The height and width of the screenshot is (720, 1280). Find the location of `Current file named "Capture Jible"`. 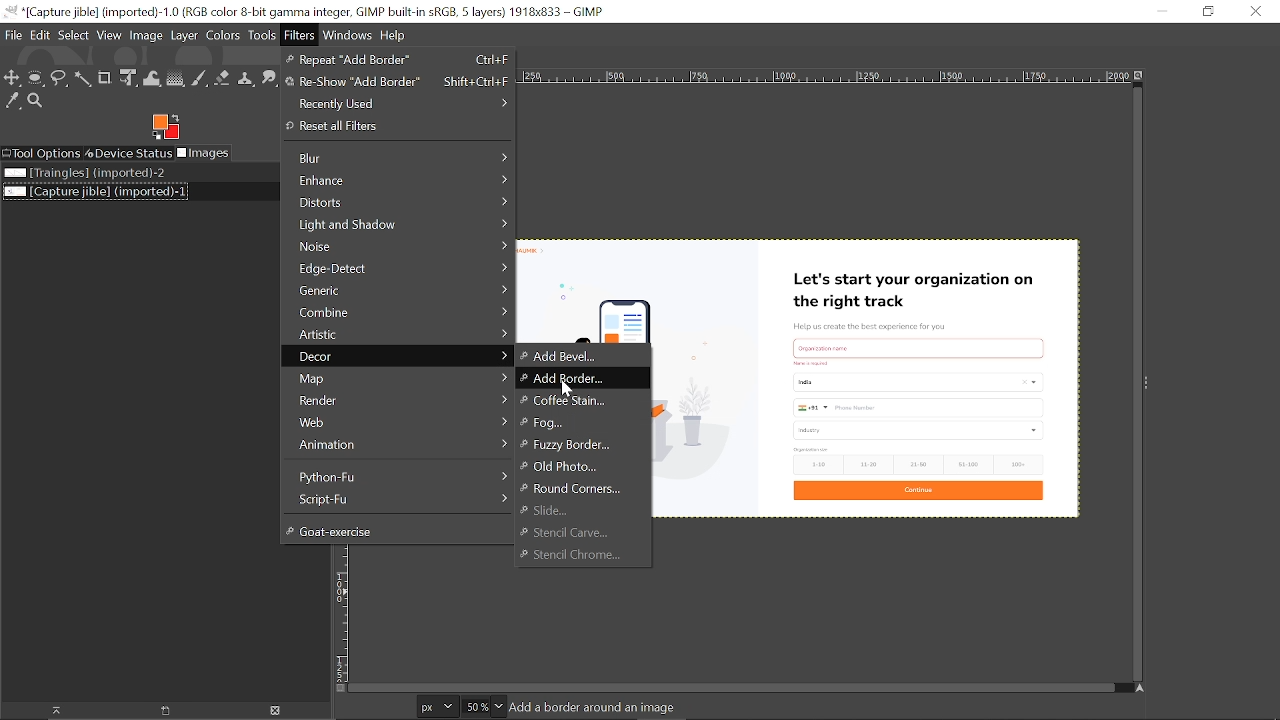

Current file named "Capture Jible" is located at coordinates (96, 191).